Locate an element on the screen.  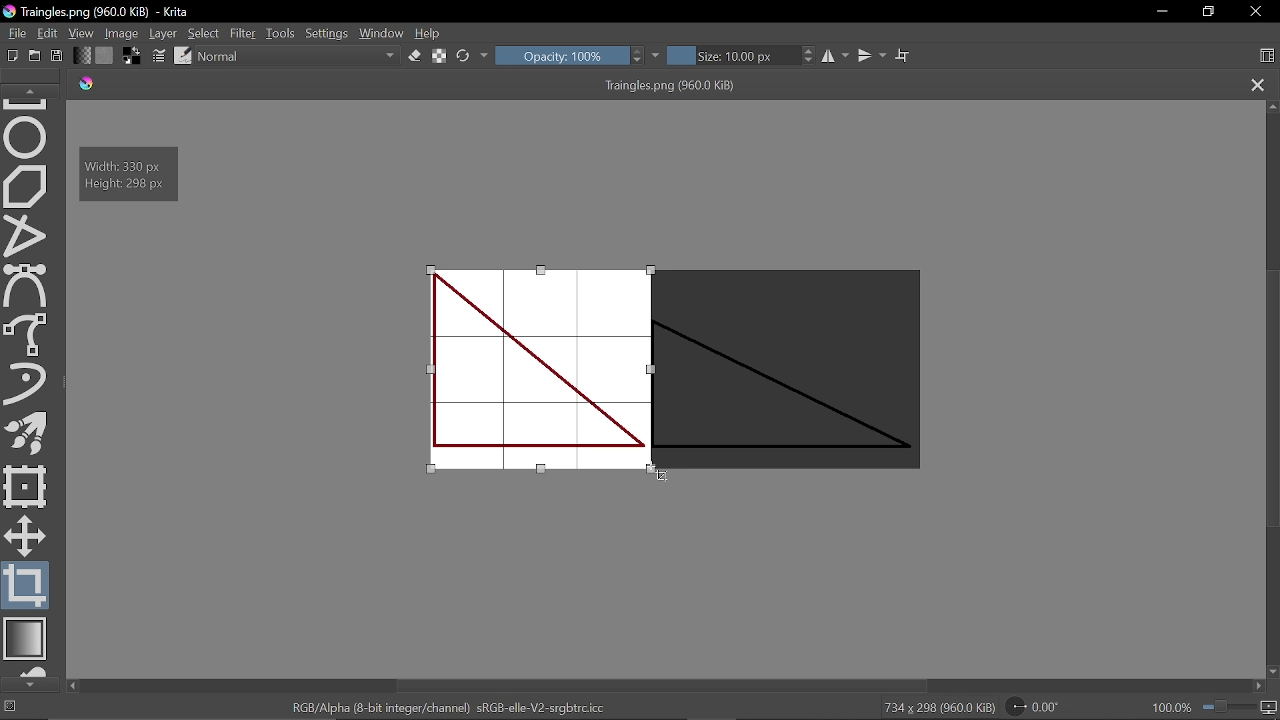
Choose workspace is located at coordinates (1267, 57).